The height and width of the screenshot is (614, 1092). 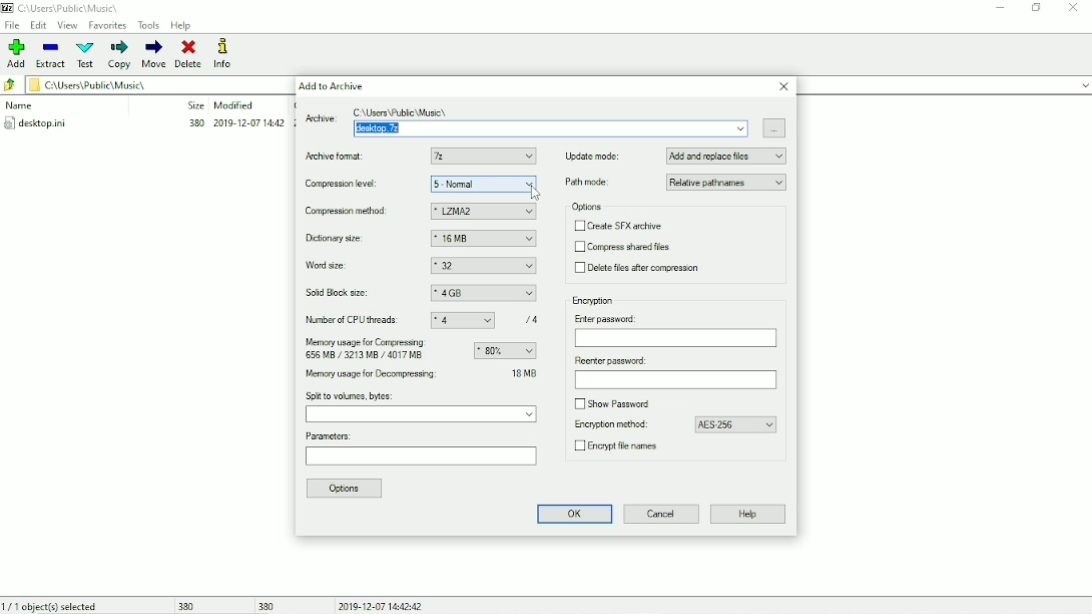 What do you see at coordinates (594, 301) in the screenshot?
I see `Encryption` at bounding box center [594, 301].